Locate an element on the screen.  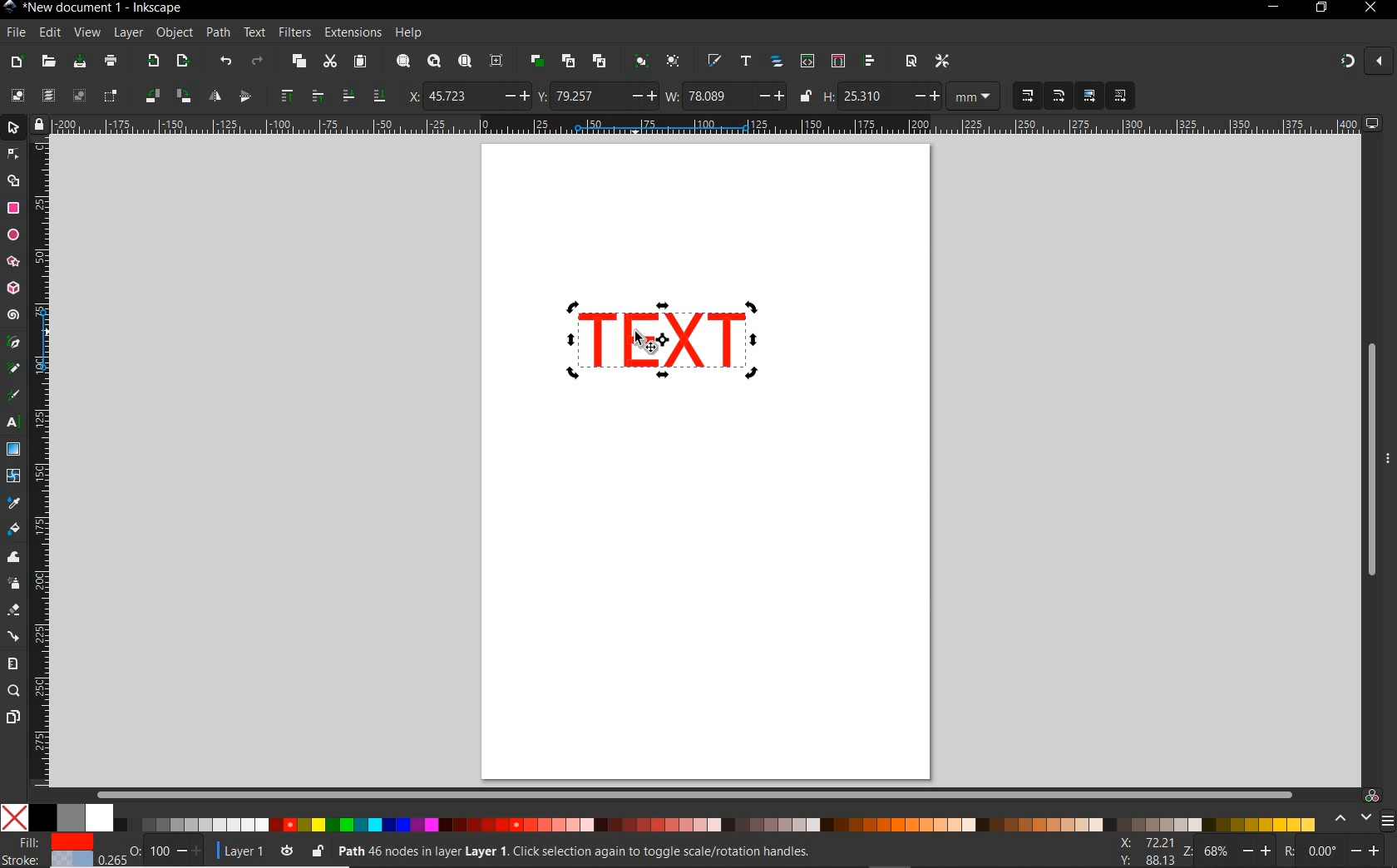
OBJECT FLIP is located at coordinates (230, 94).